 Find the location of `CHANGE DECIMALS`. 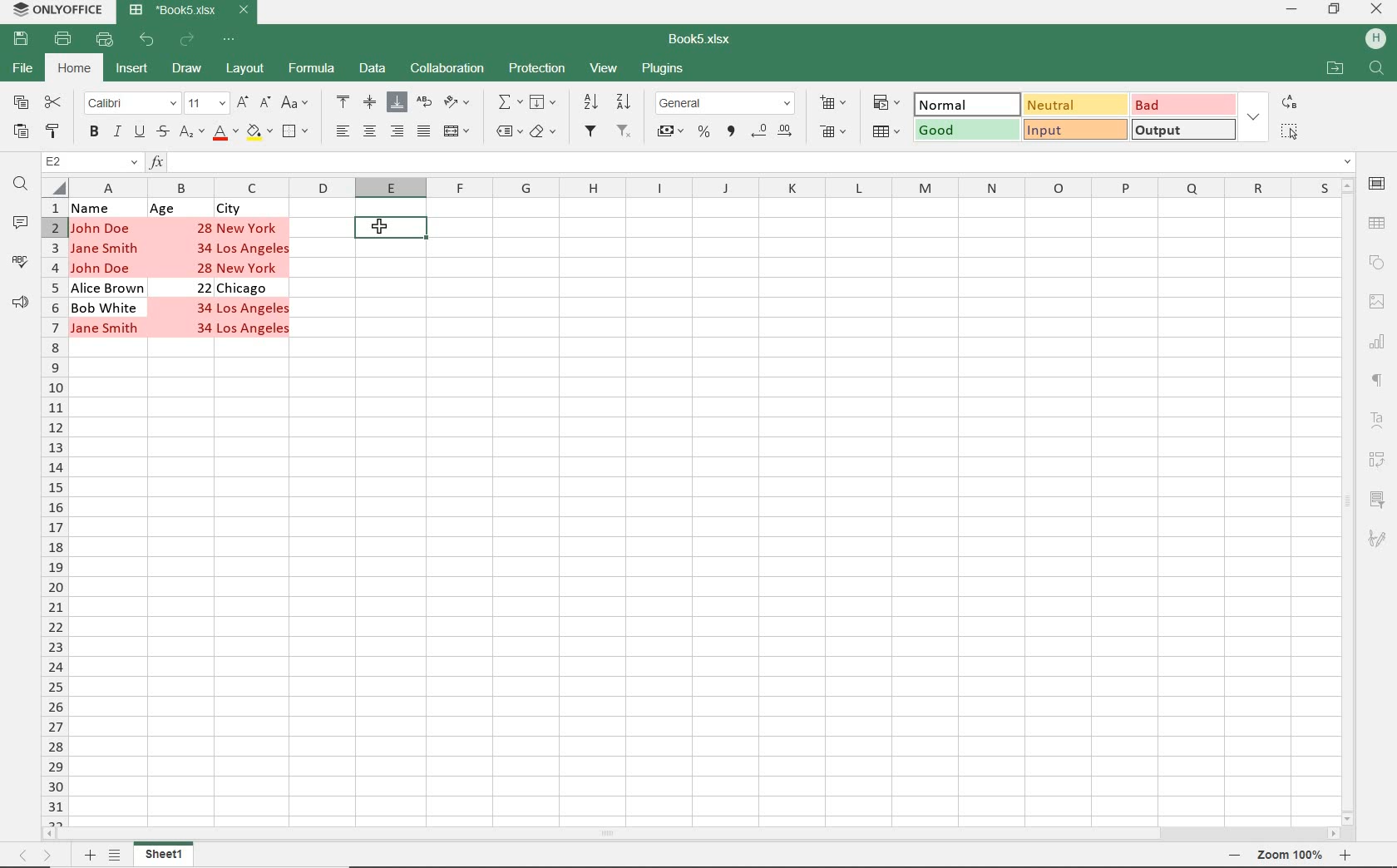

CHANGE DECIMALS is located at coordinates (773, 131).